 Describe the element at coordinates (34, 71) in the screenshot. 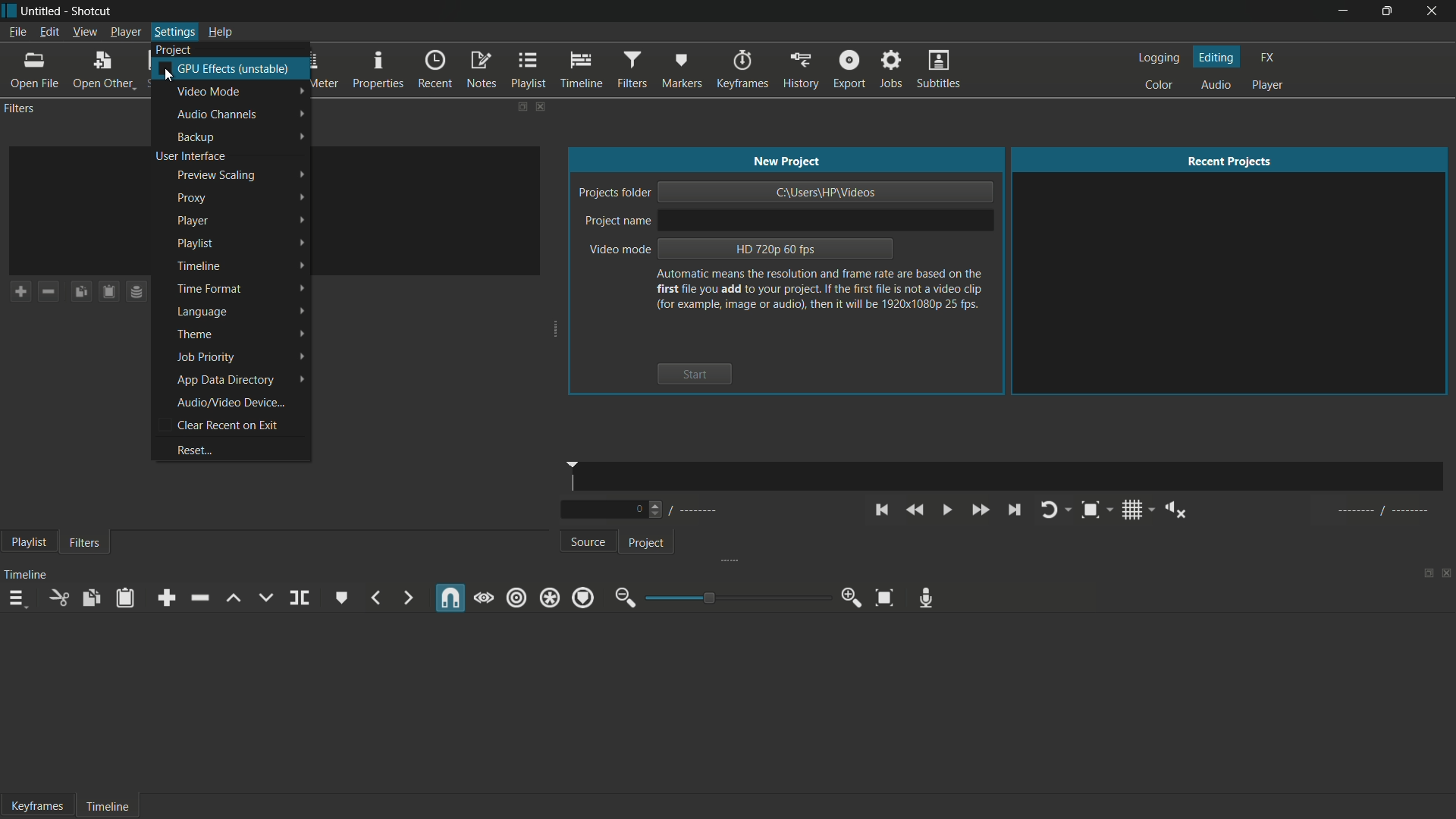

I see `open file` at that location.